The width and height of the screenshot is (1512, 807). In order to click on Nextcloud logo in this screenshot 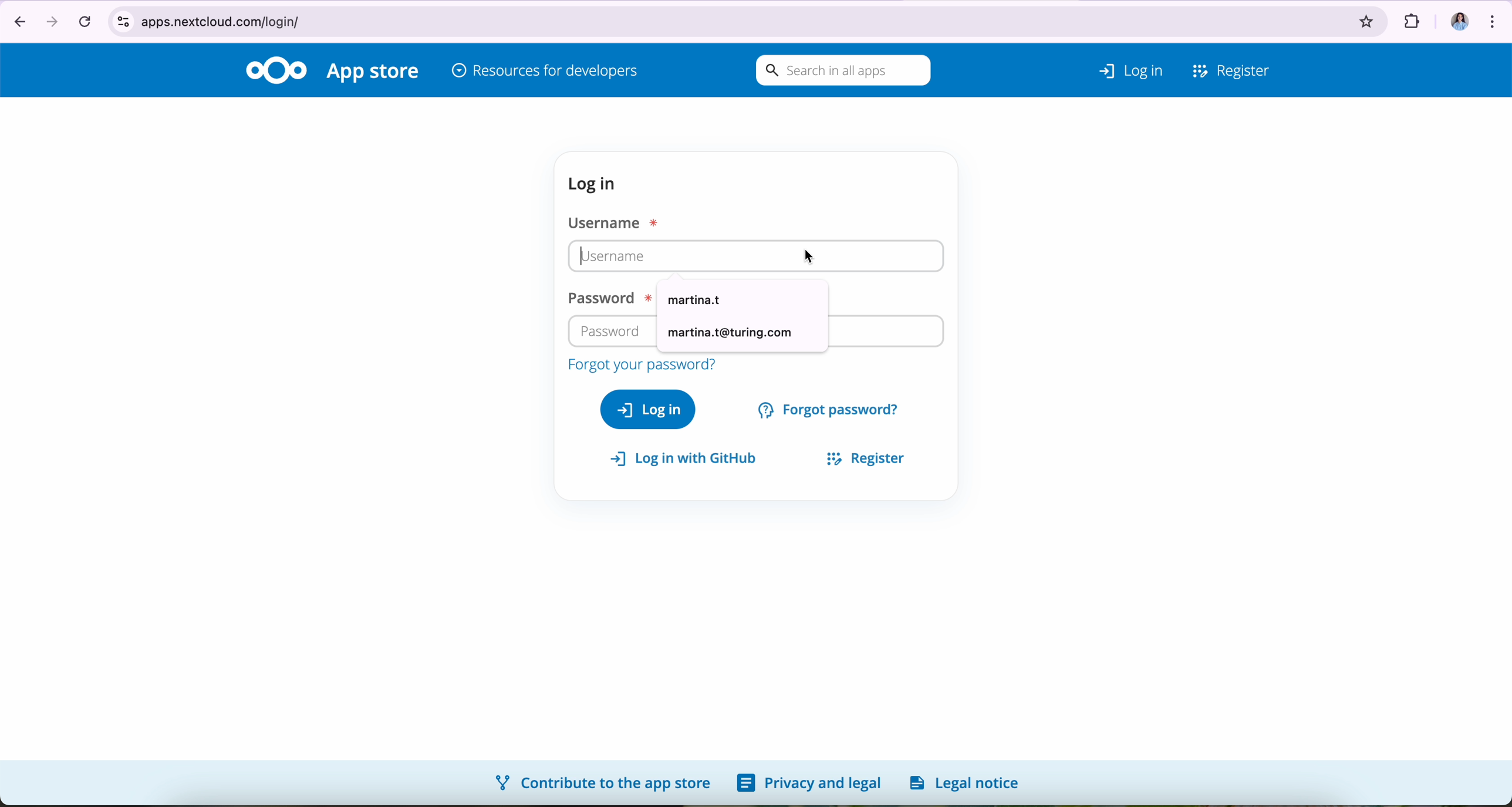, I will do `click(276, 69)`.